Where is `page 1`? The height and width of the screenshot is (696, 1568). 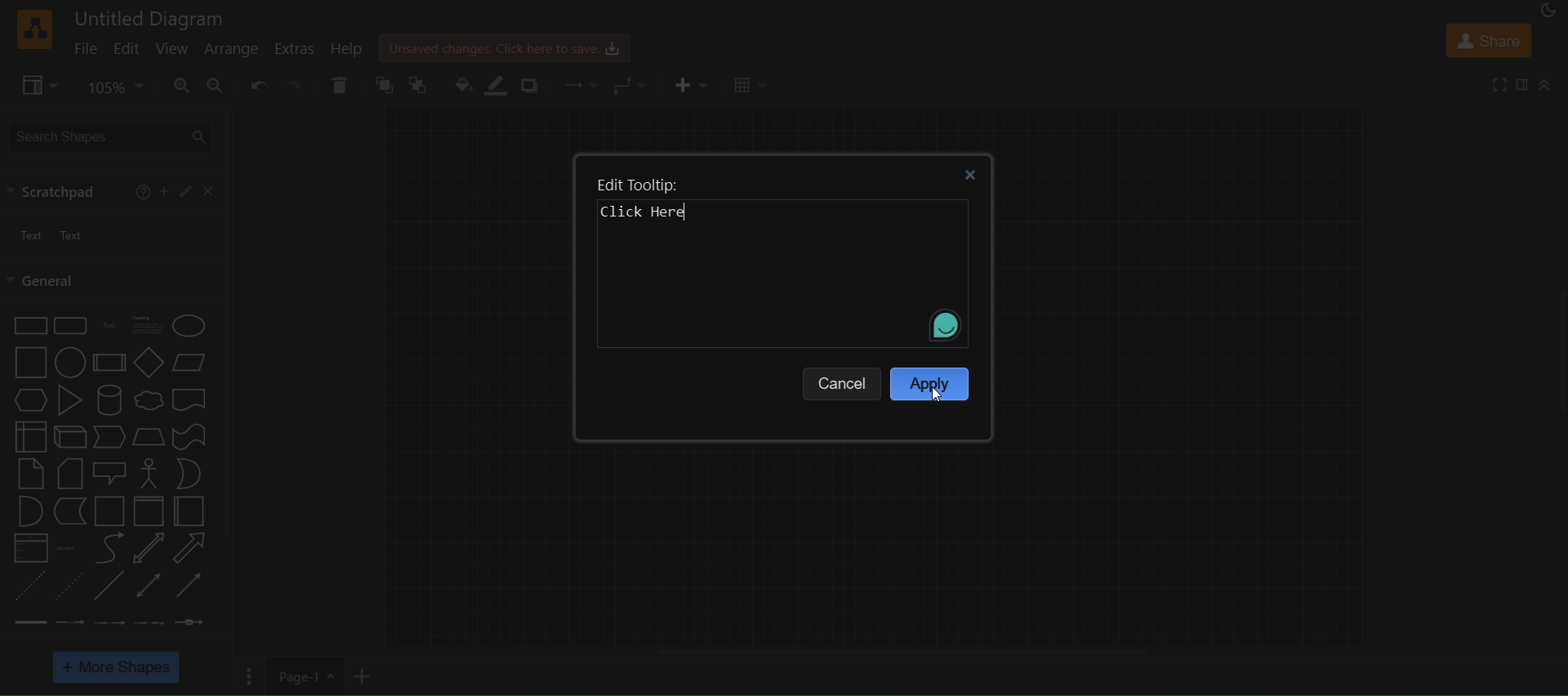
page 1 is located at coordinates (291, 676).